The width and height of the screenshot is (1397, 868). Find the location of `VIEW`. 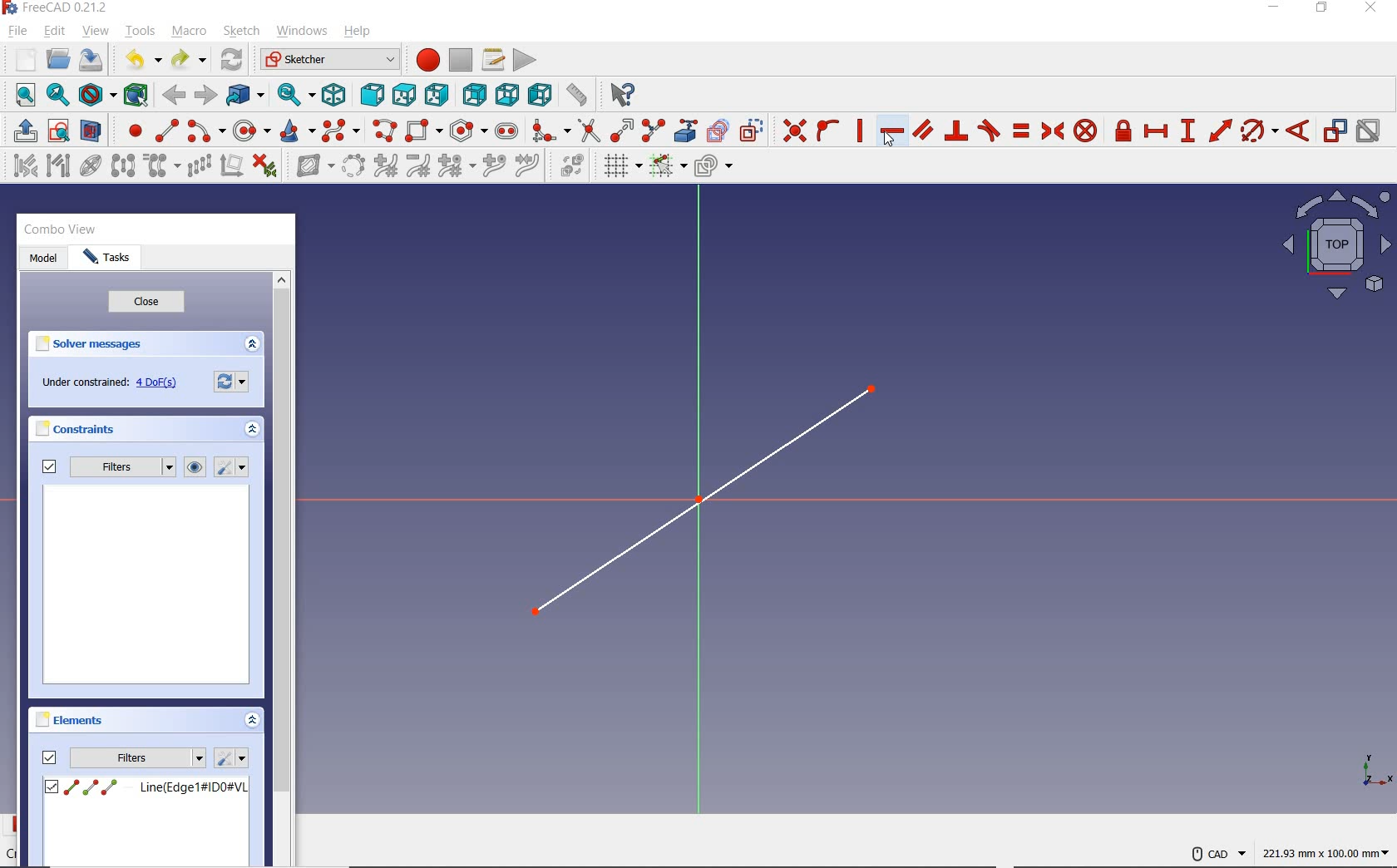

VIEW is located at coordinates (96, 32).